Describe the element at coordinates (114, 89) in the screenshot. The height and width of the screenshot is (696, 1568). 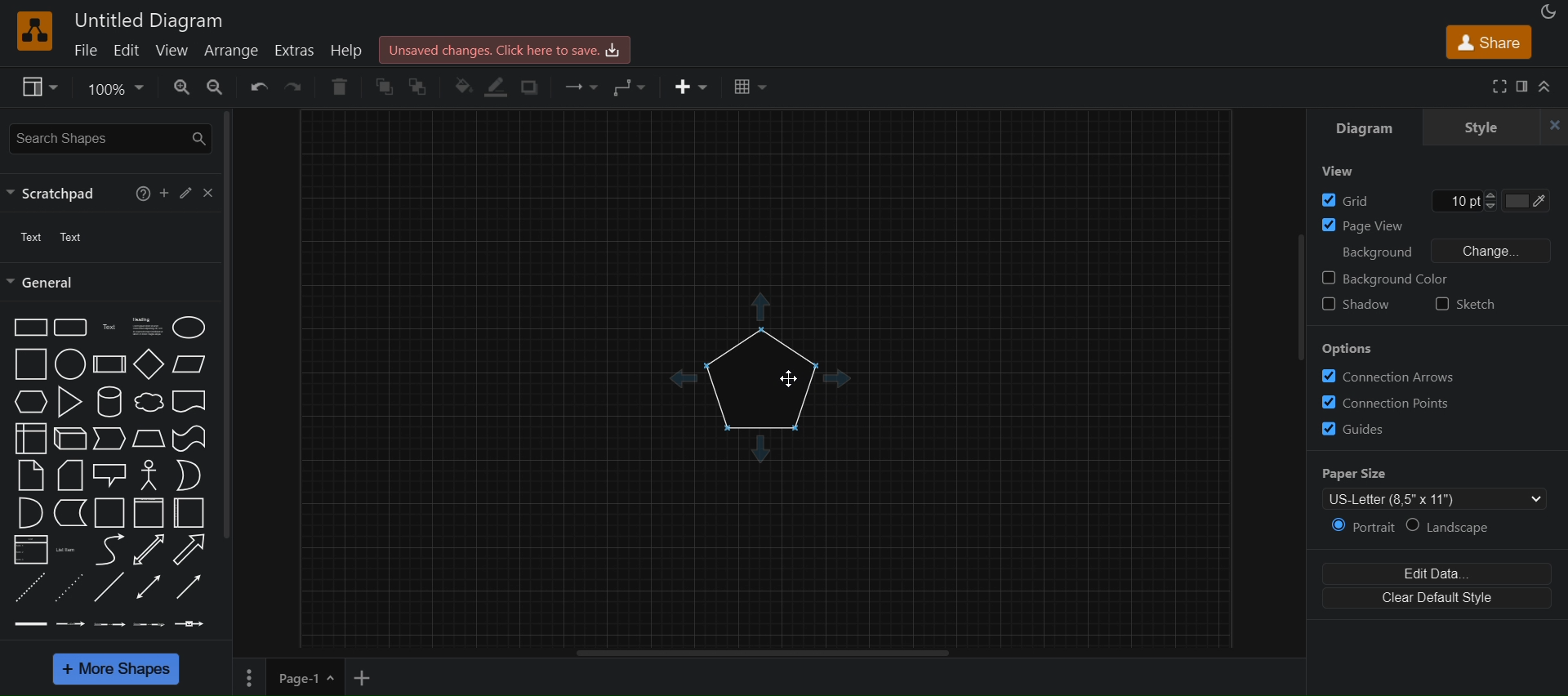
I see `zoom options` at that location.